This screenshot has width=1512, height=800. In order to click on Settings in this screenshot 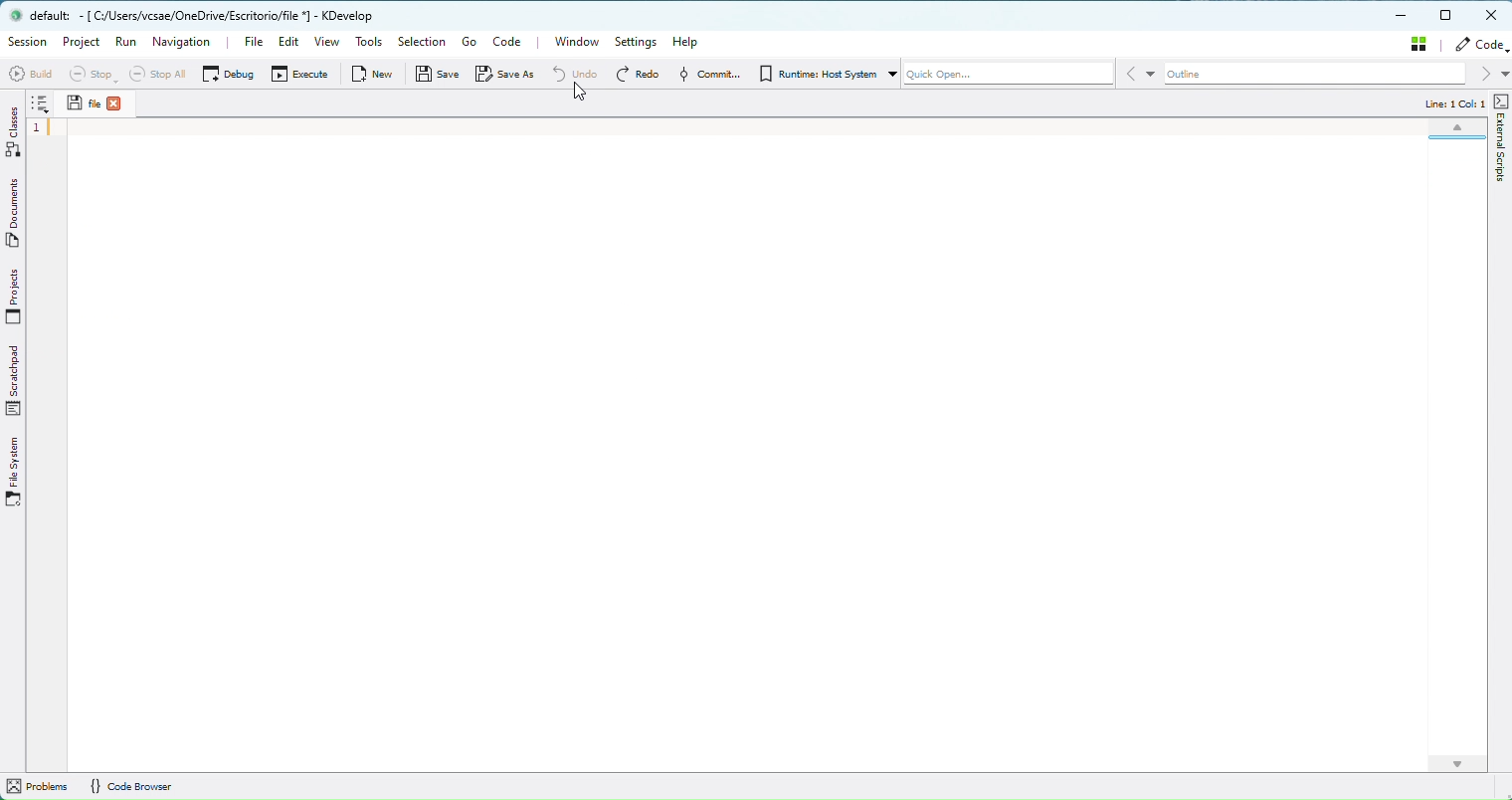, I will do `click(642, 42)`.